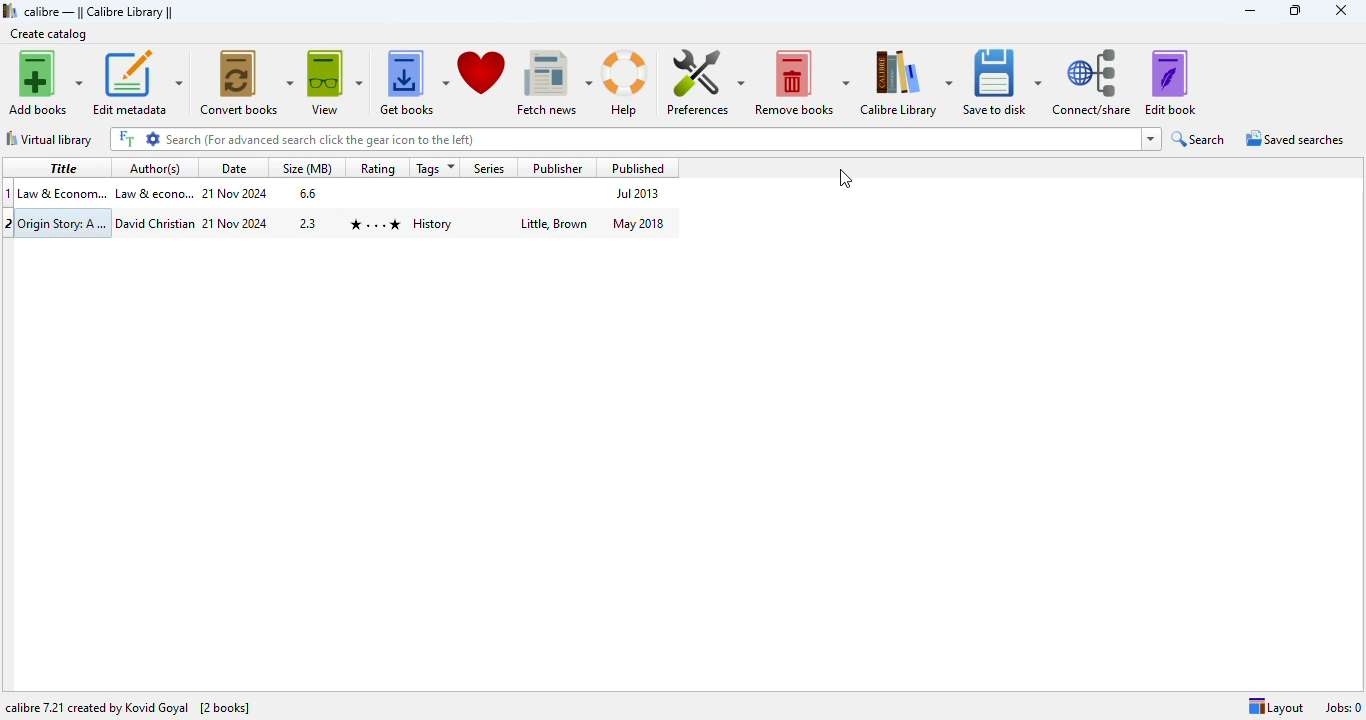  What do you see at coordinates (1003, 80) in the screenshot?
I see `save to disk` at bounding box center [1003, 80].